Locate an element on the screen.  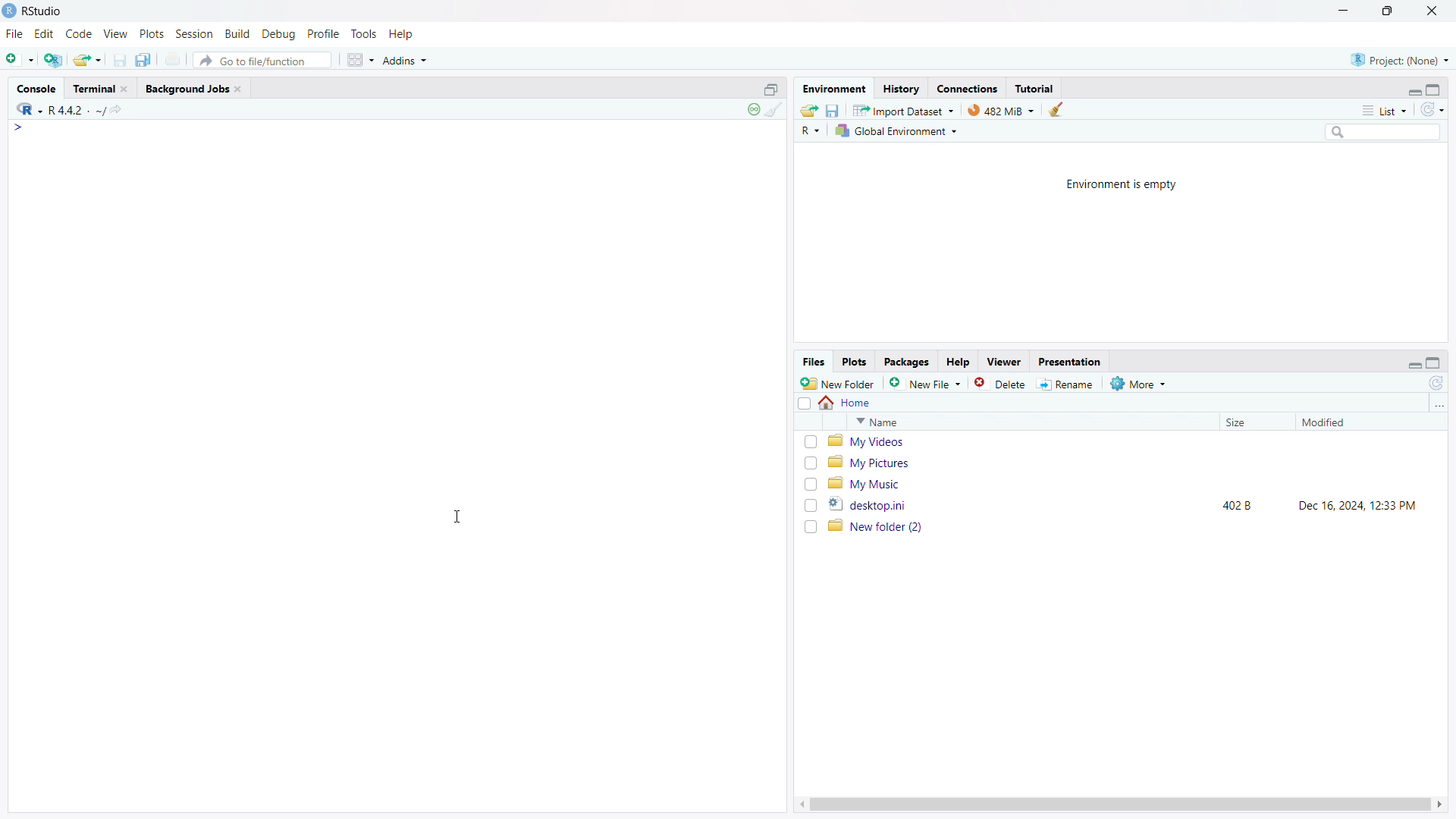
add new file is located at coordinates (926, 383).